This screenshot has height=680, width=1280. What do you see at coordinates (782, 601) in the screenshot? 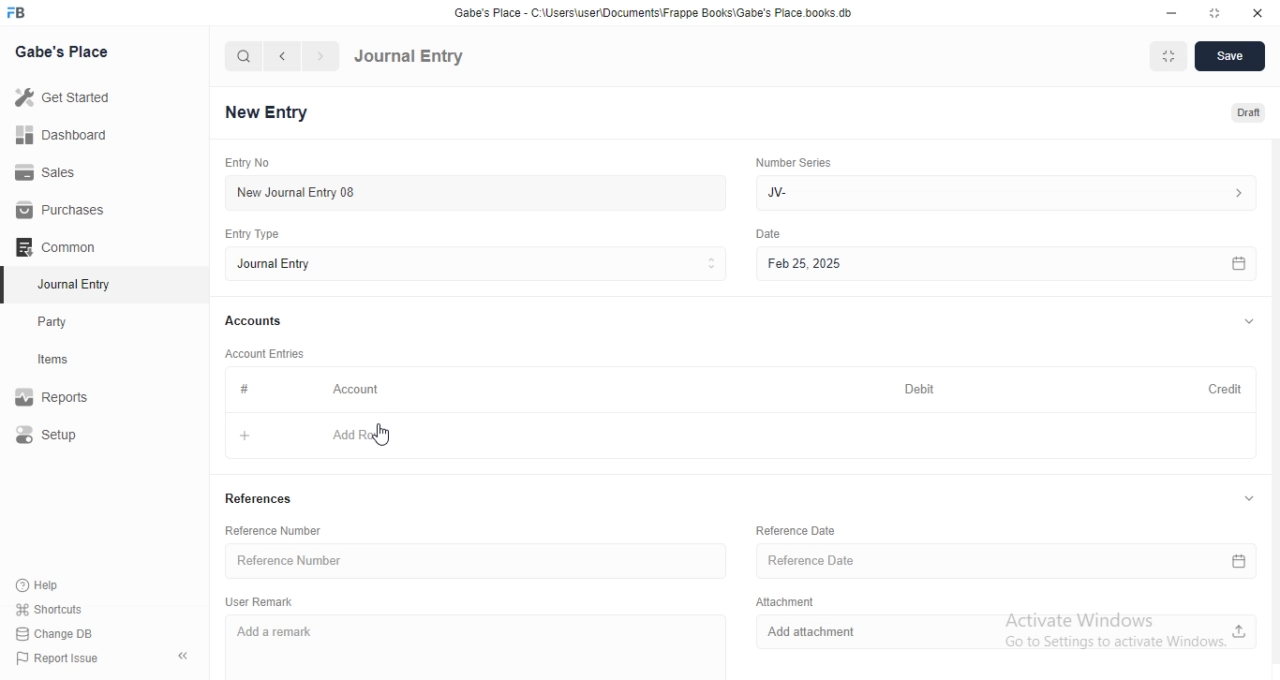
I see `Attachment` at bounding box center [782, 601].